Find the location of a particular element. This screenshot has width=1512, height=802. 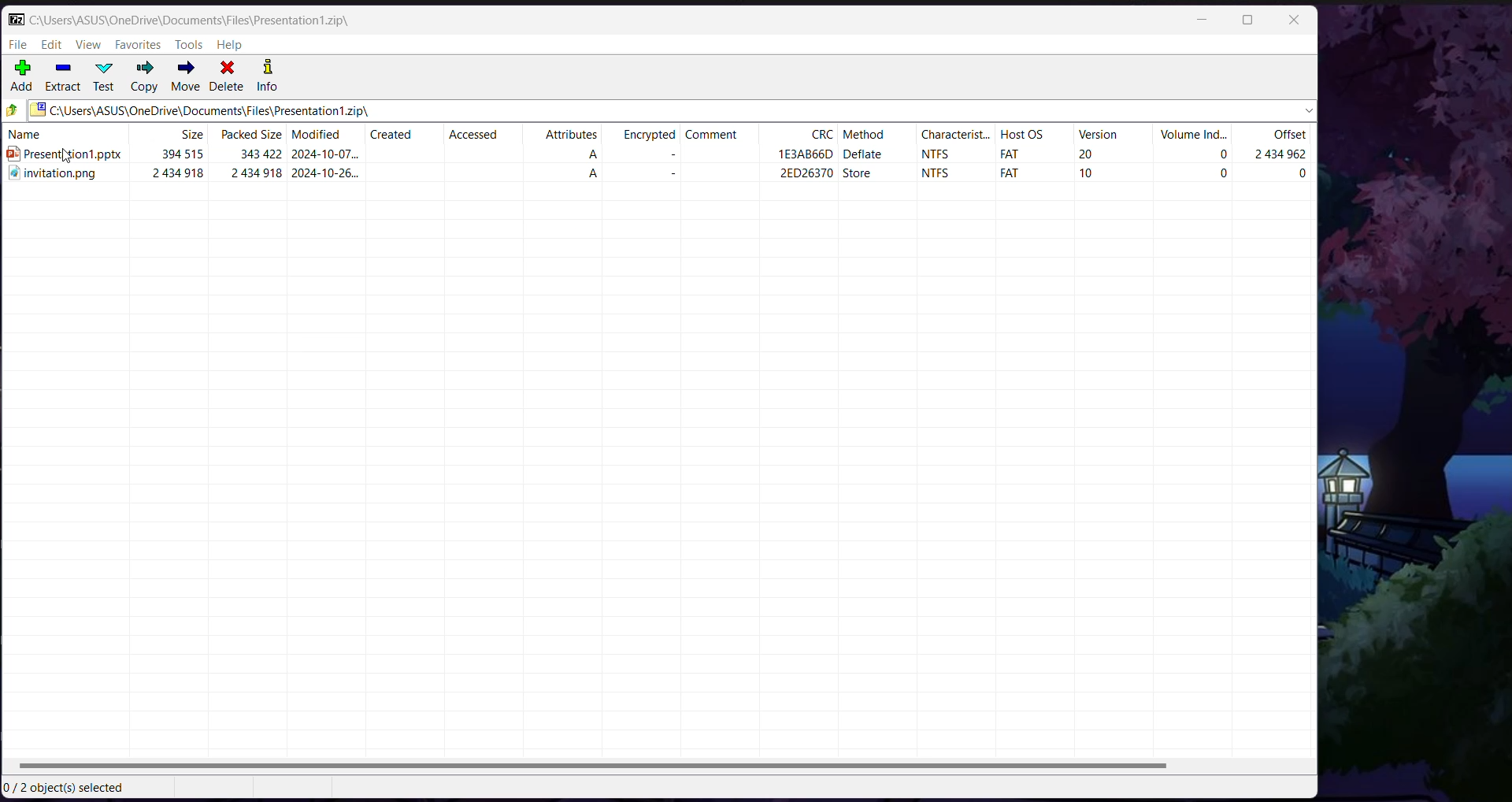

1E3AB66d is located at coordinates (807, 153).